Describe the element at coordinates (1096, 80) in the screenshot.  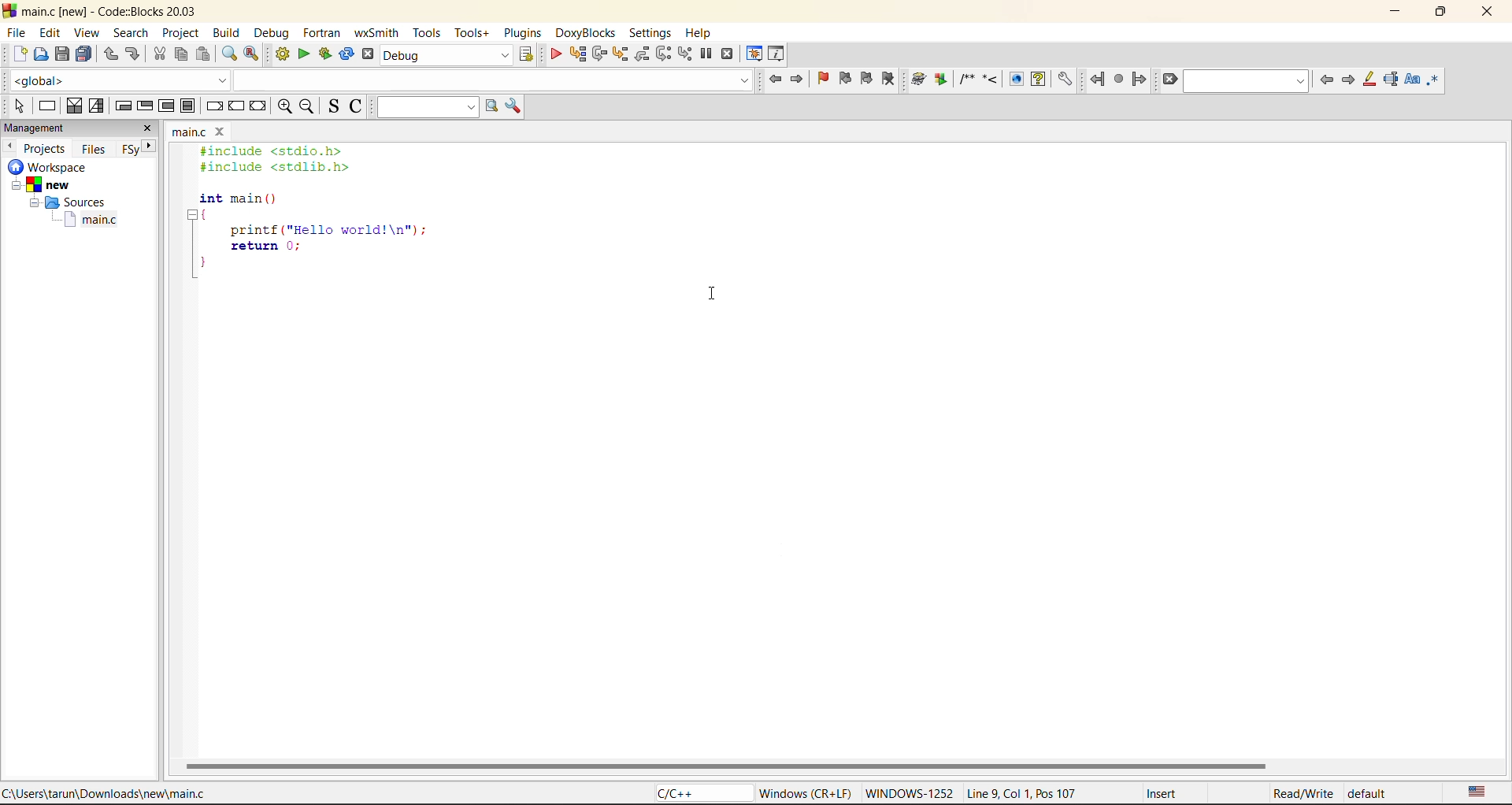
I see `jump back` at that location.